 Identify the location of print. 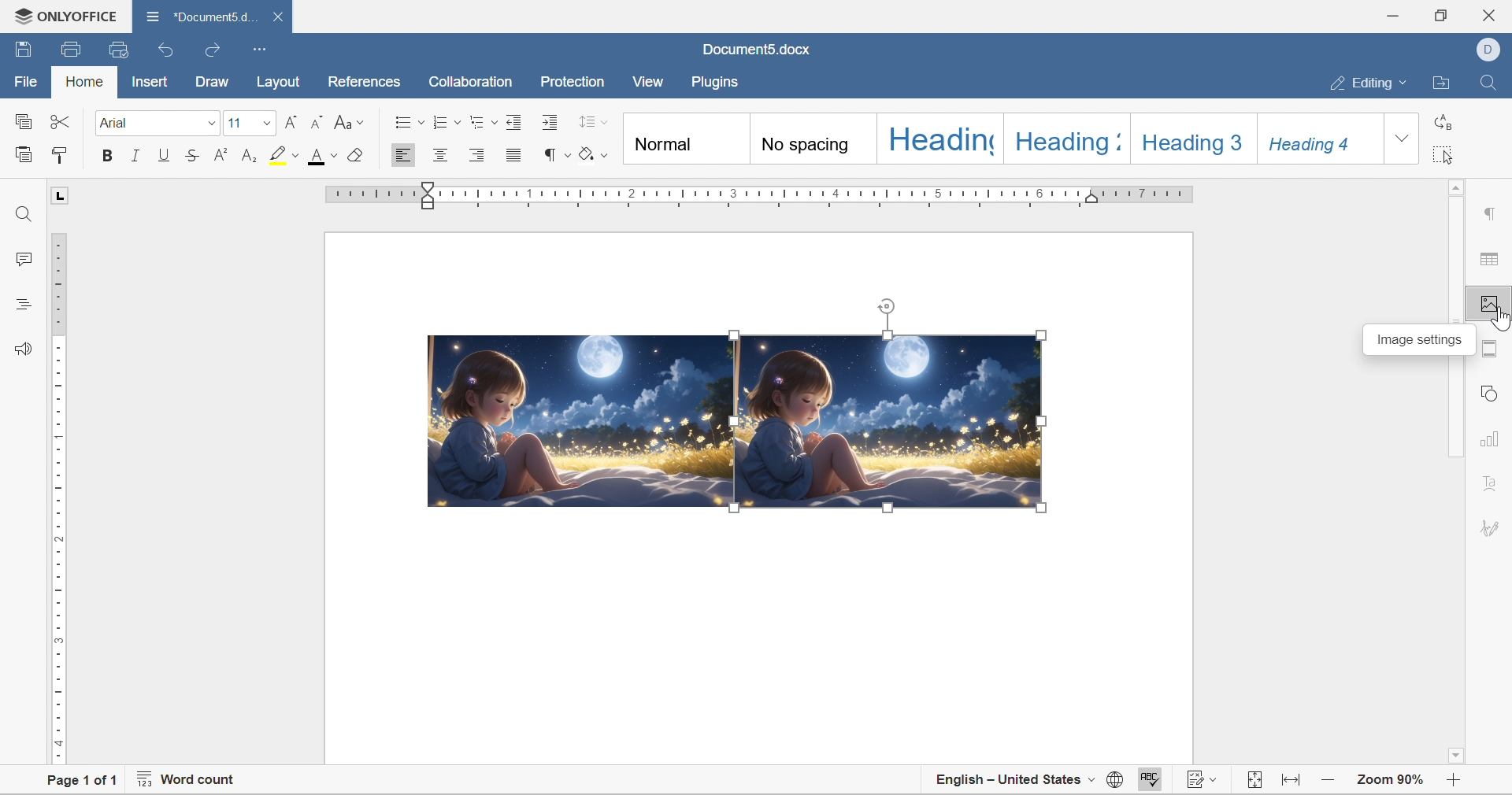
(69, 52).